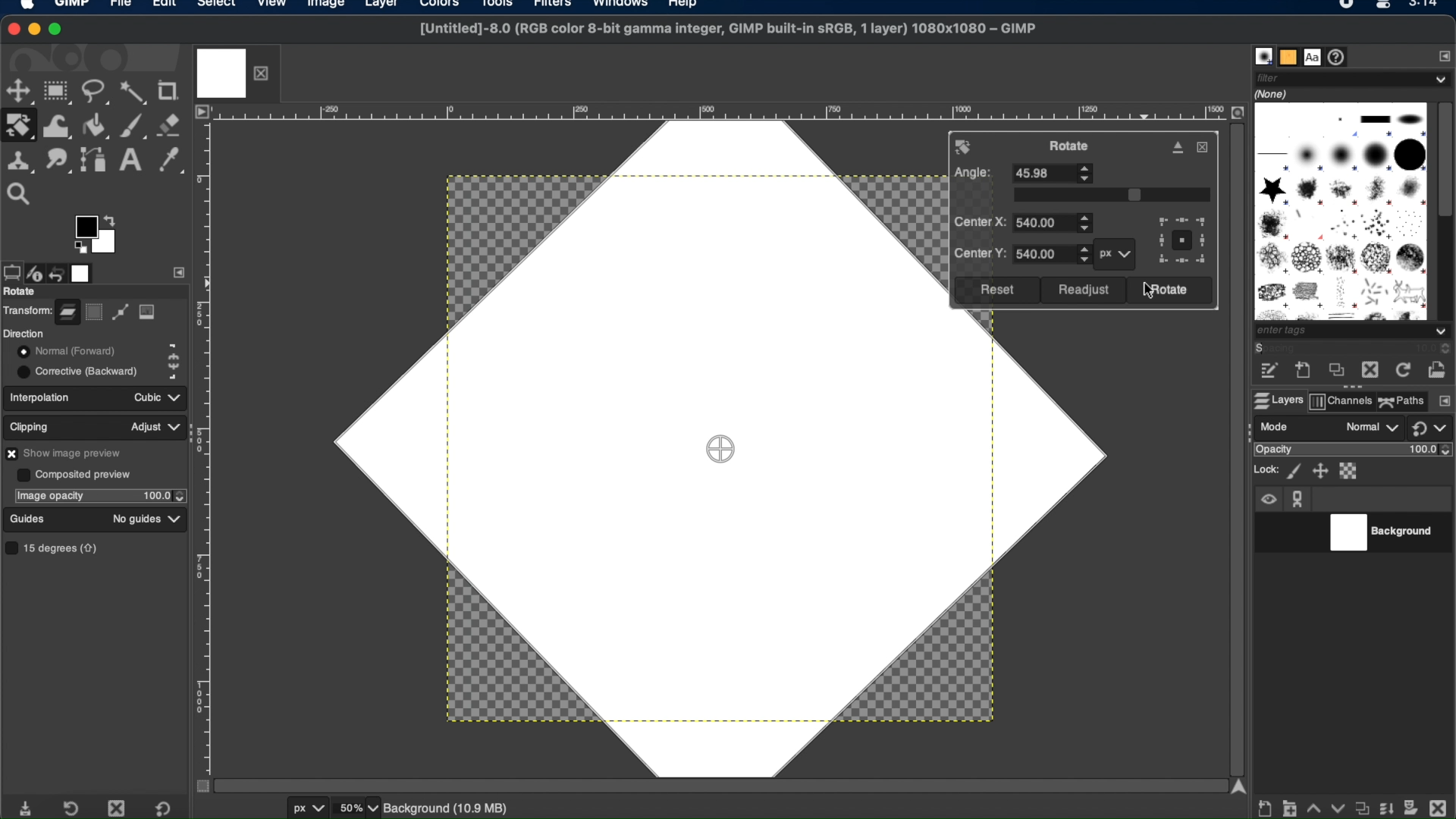 Image resolution: width=1456 pixels, height=819 pixels. I want to click on rectangle select tool, so click(58, 92).